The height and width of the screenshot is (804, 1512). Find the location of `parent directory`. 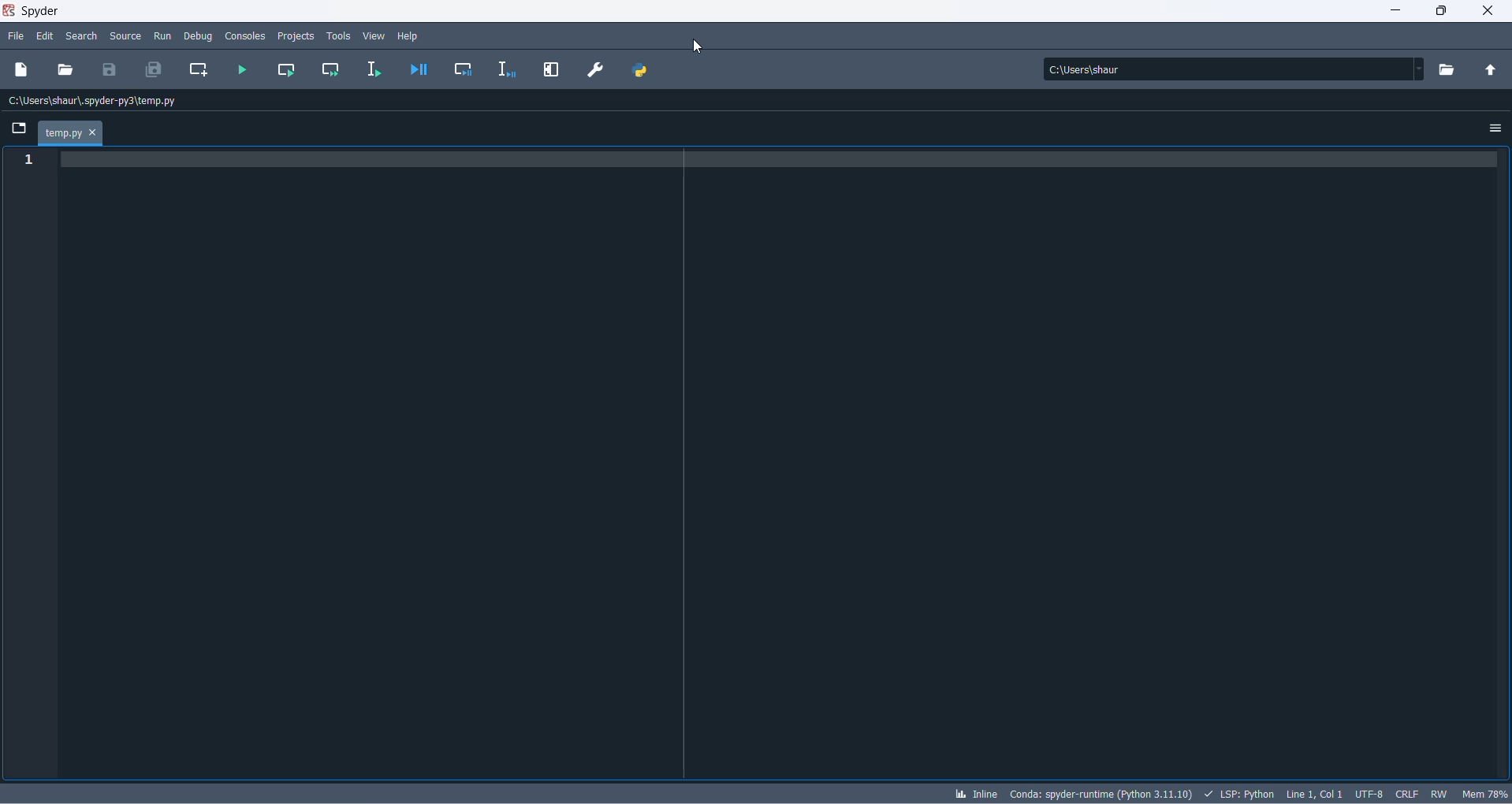

parent directory is located at coordinates (1495, 72).